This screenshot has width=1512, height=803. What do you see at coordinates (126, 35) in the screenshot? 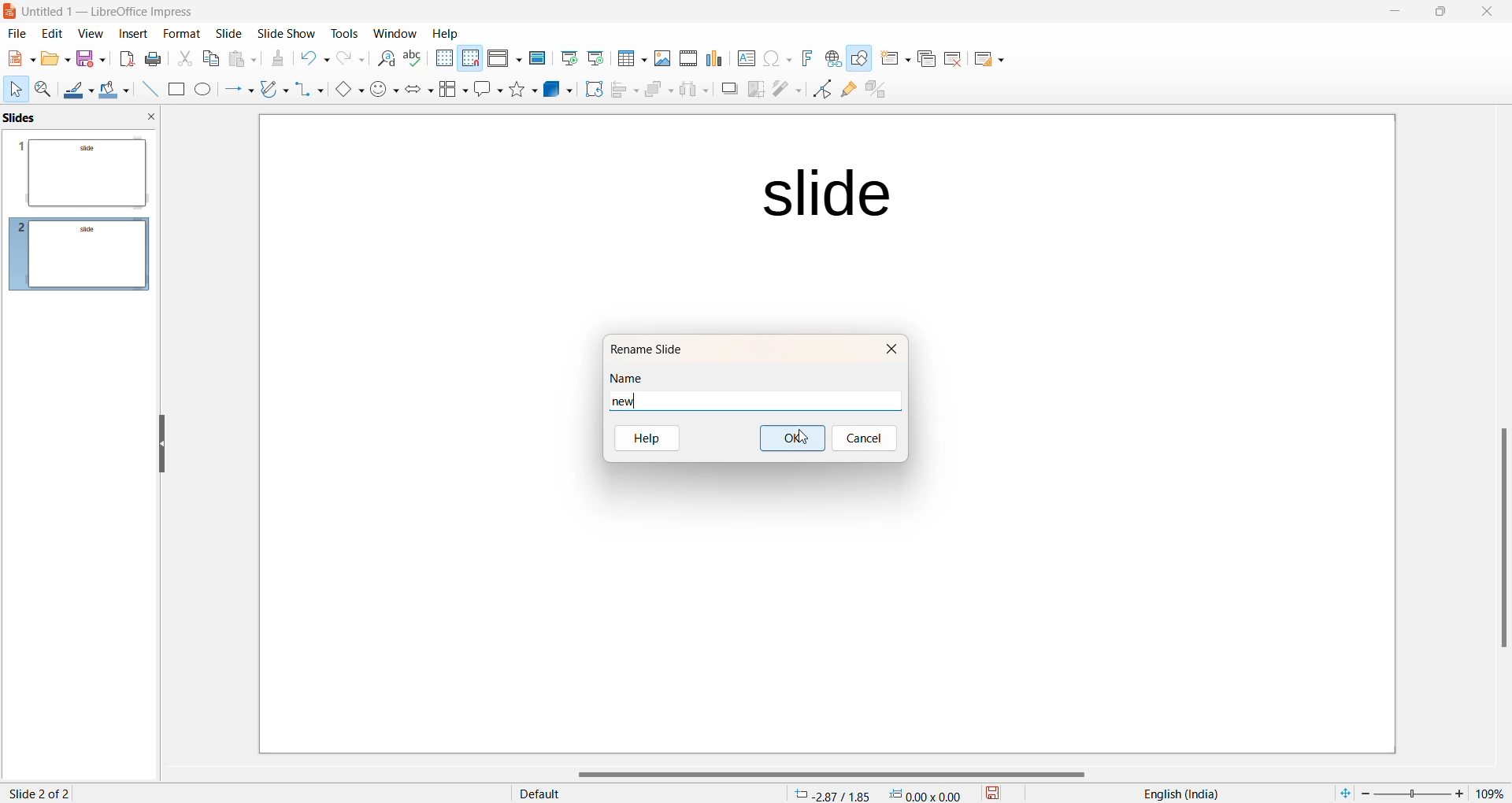
I see `insert` at bounding box center [126, 35].